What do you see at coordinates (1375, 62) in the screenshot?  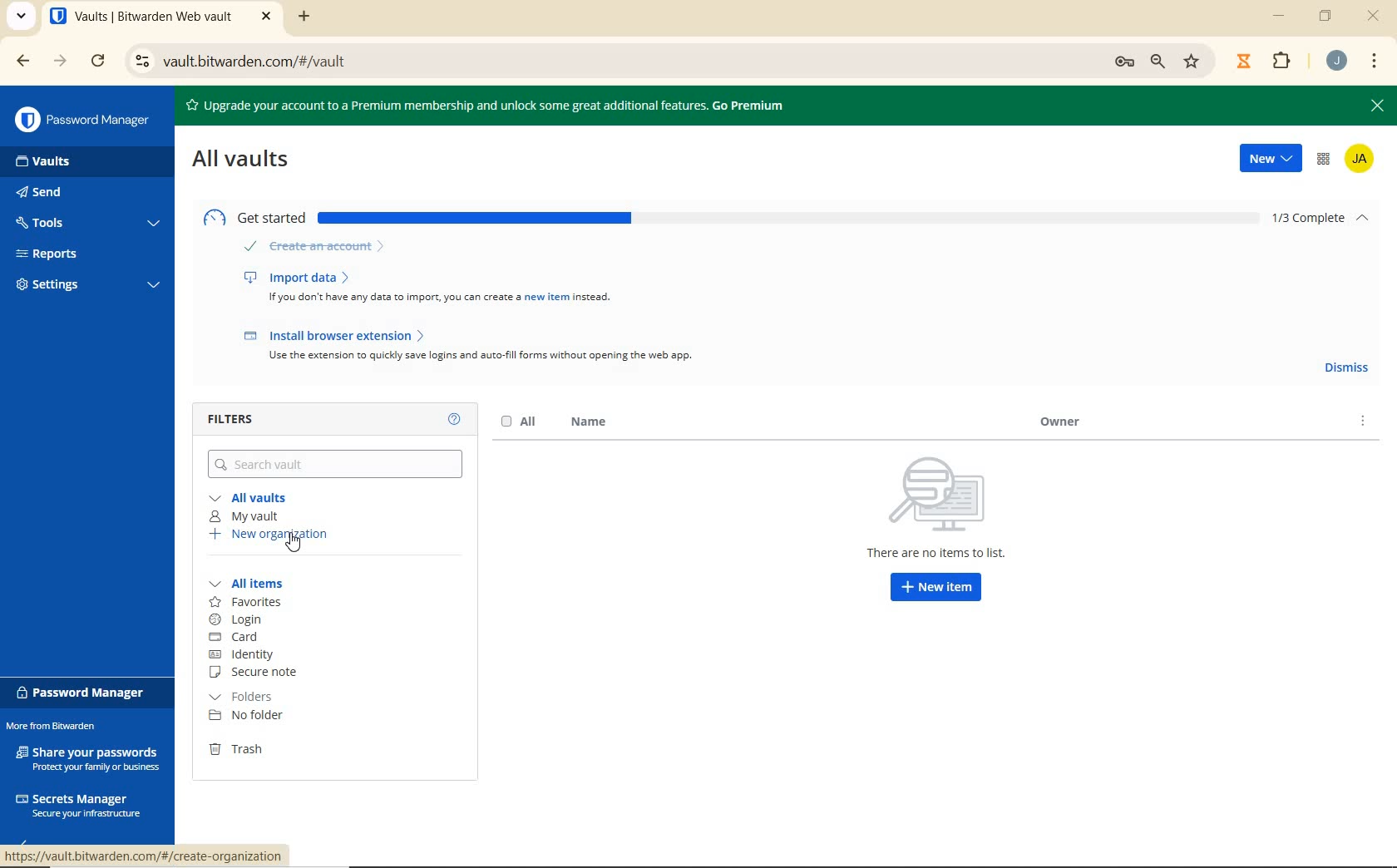 I see `customize ` at bounding box center [1375, 62].